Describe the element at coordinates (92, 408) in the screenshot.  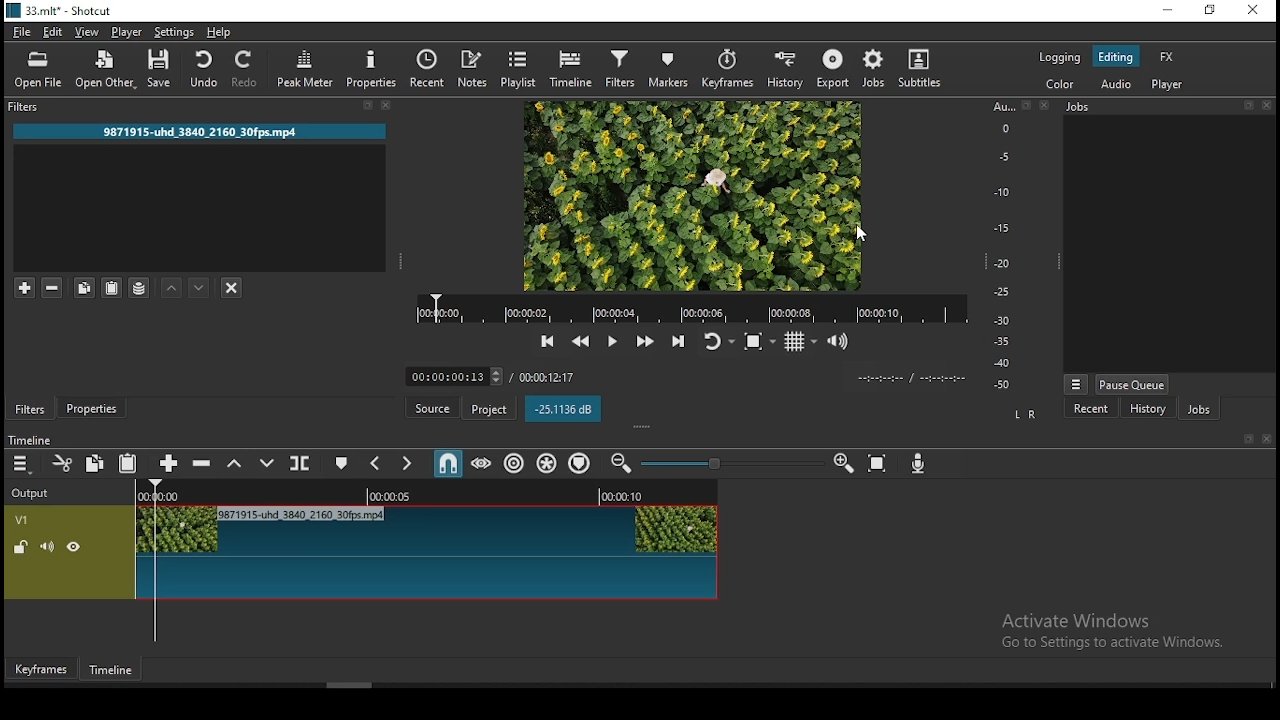
I see `properties` at that location.